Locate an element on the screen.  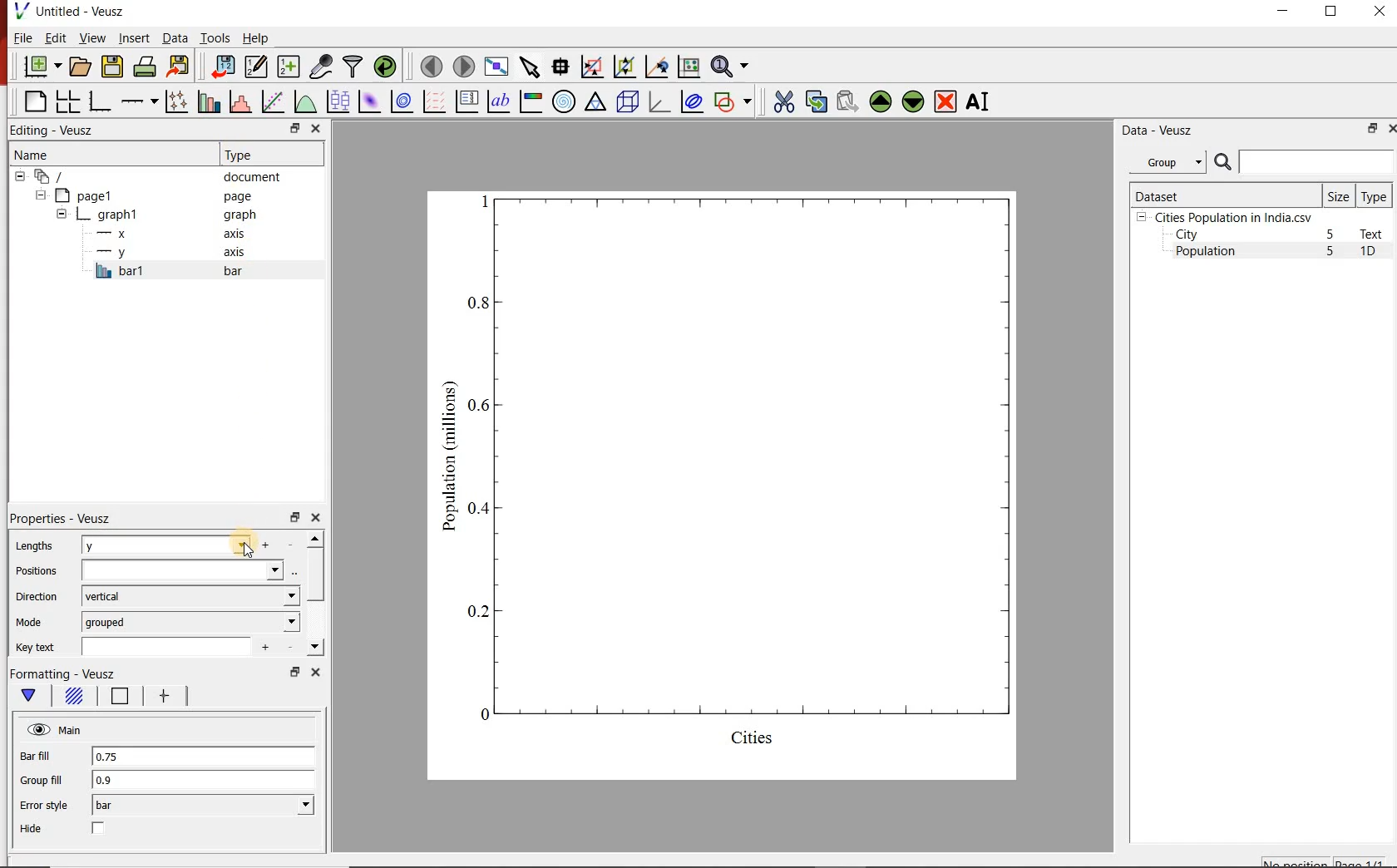
move to the previous page is located at coordinates (429, 65).